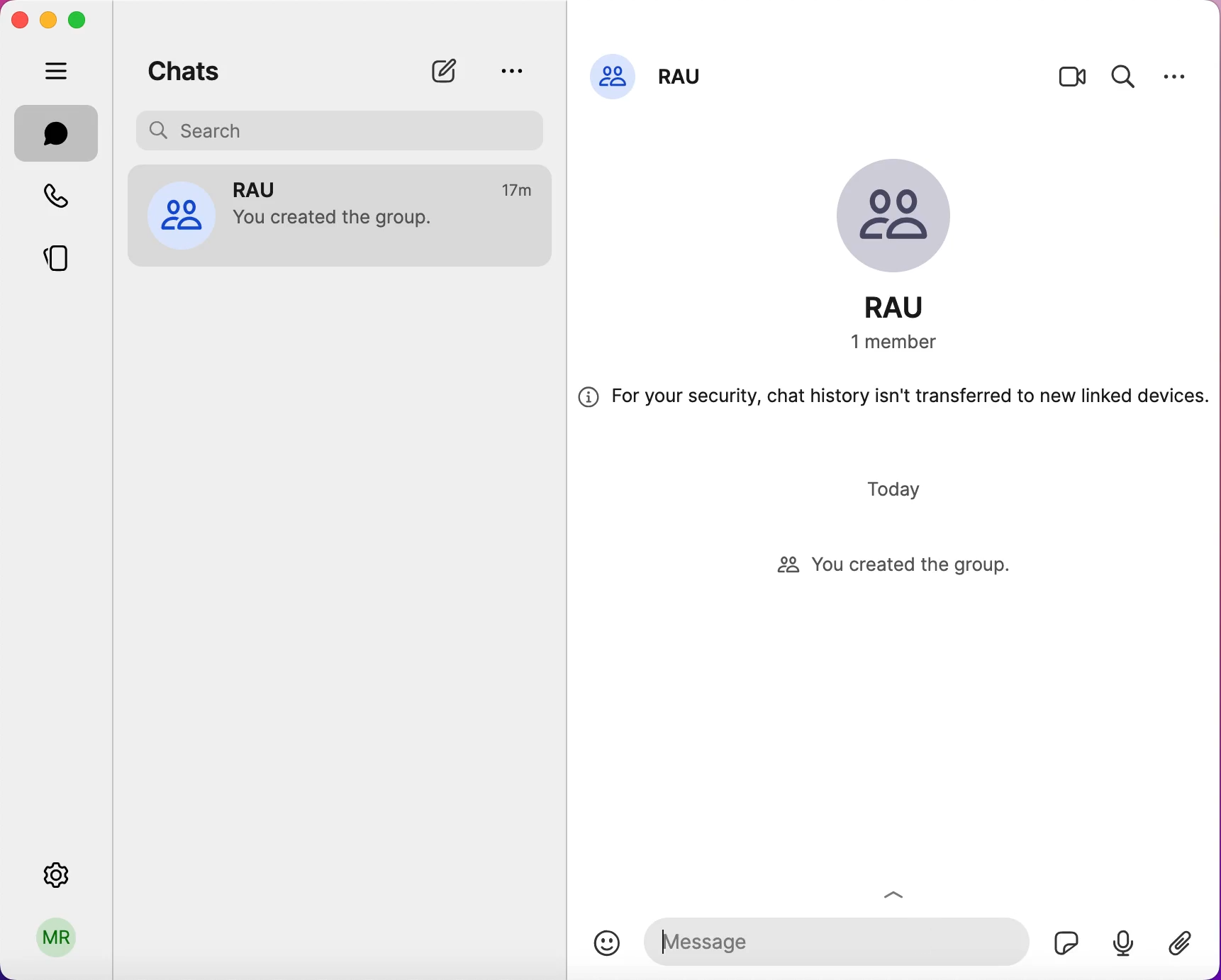  Describe the element at coordinates (184, 68) in the screenshot. I see `chats` at that location.